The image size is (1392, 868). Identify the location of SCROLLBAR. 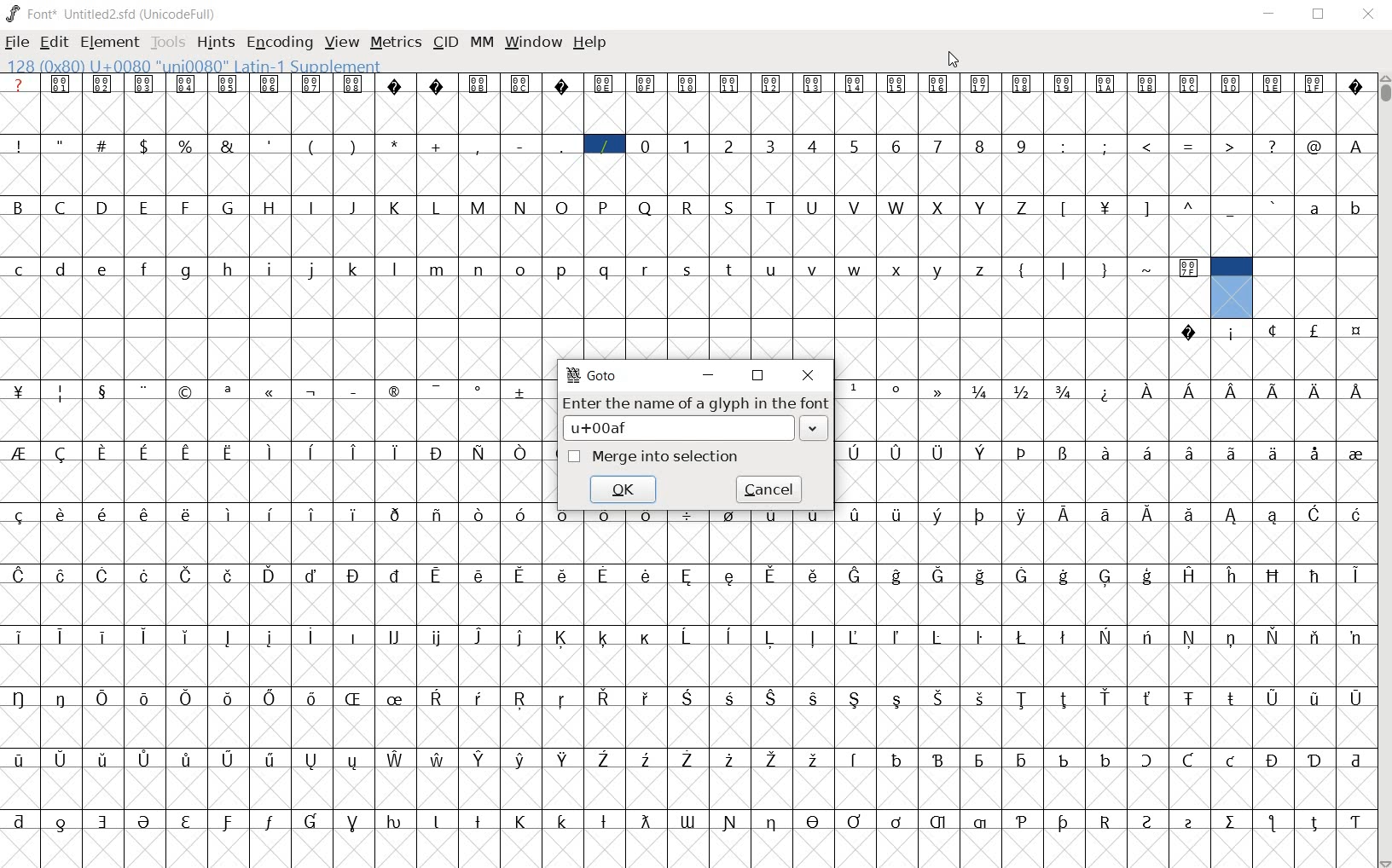
(1383, 472).